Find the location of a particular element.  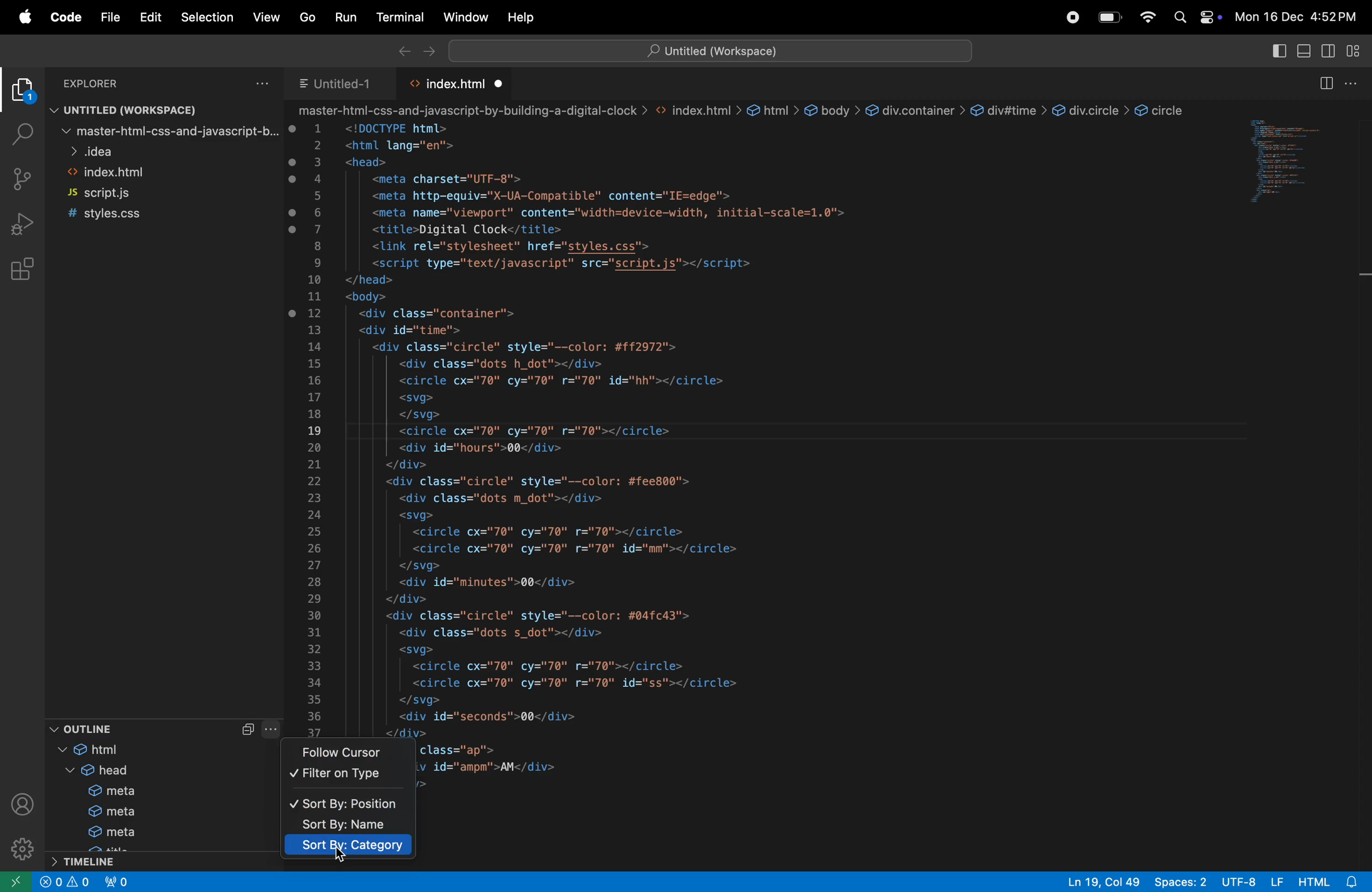

index.html tab is located at coordinates (452, 84).